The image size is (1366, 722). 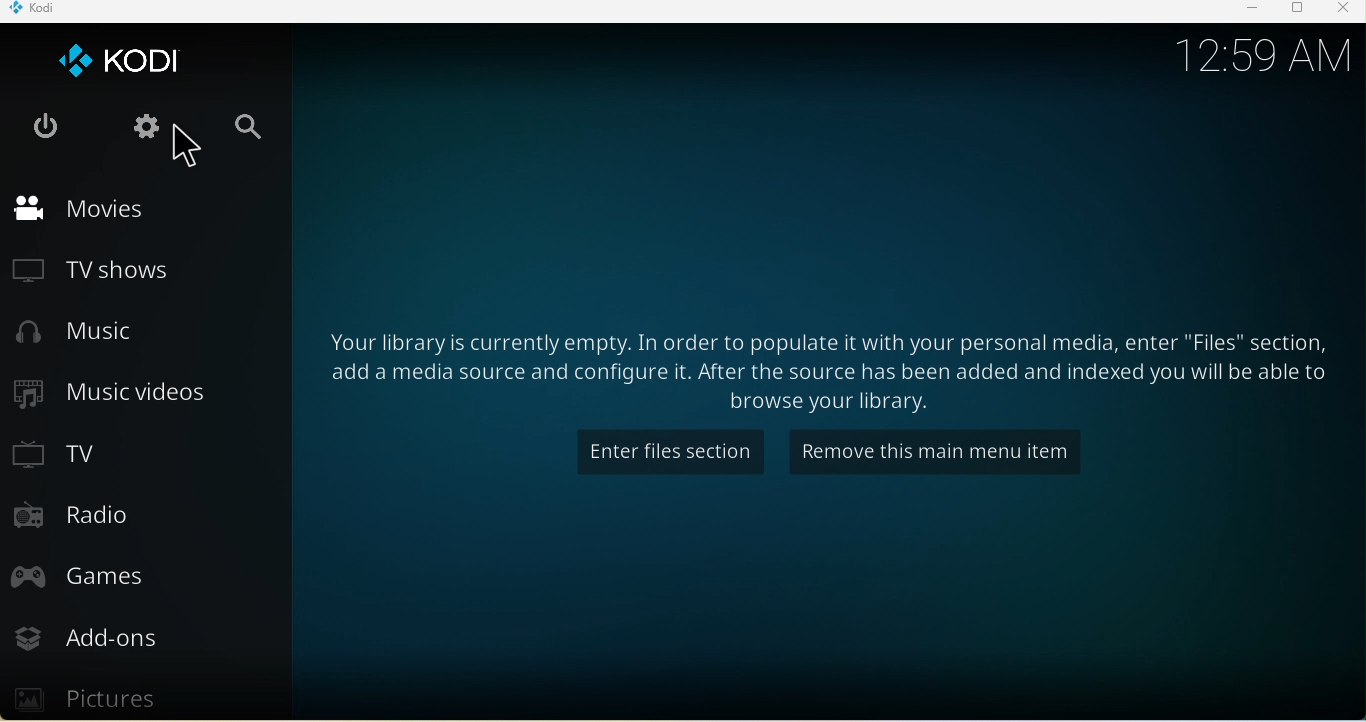 I want to click on TV, so click(x=67, y=457).